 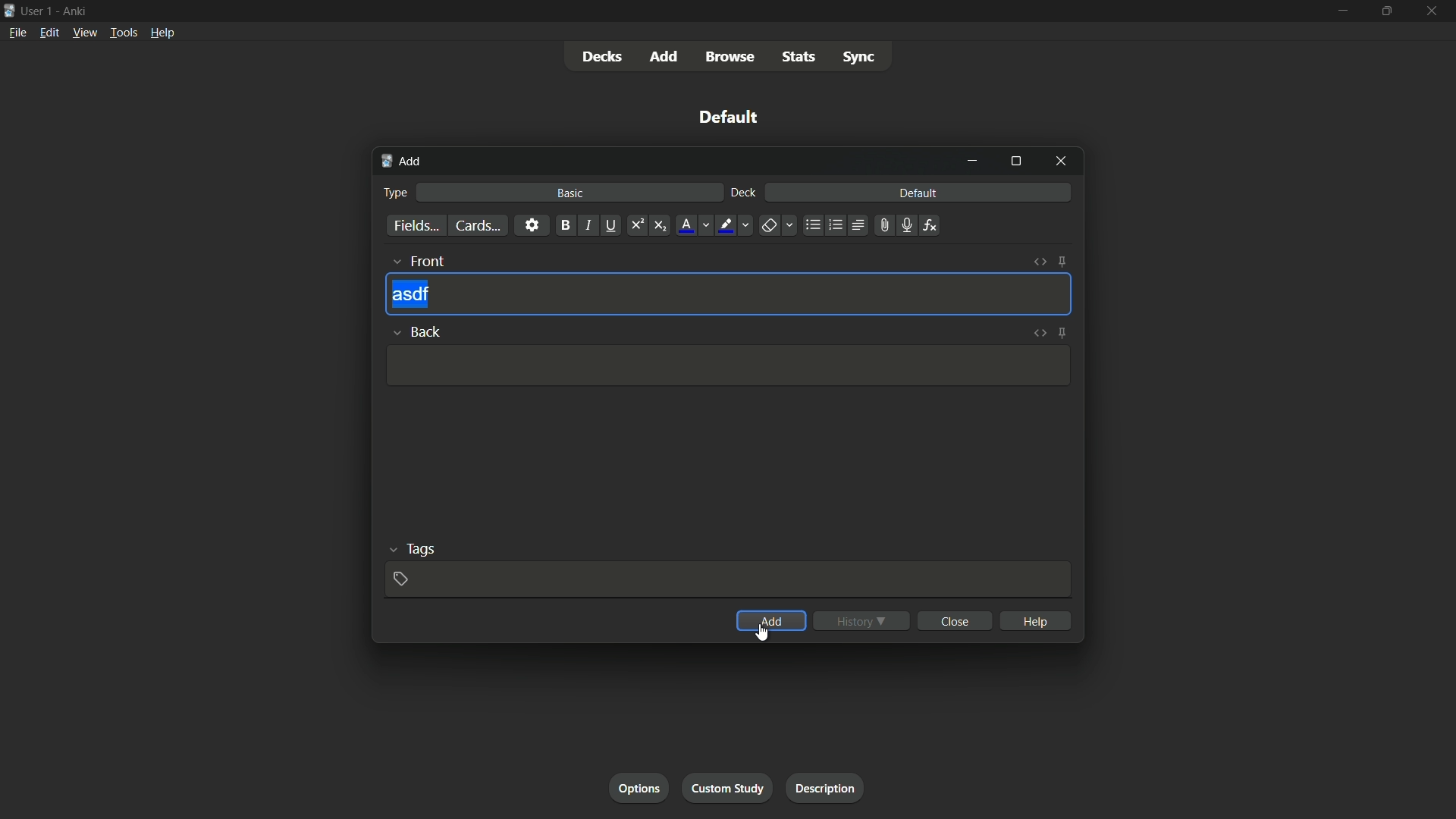 I want to click on cards, so click(x=477, y=225).